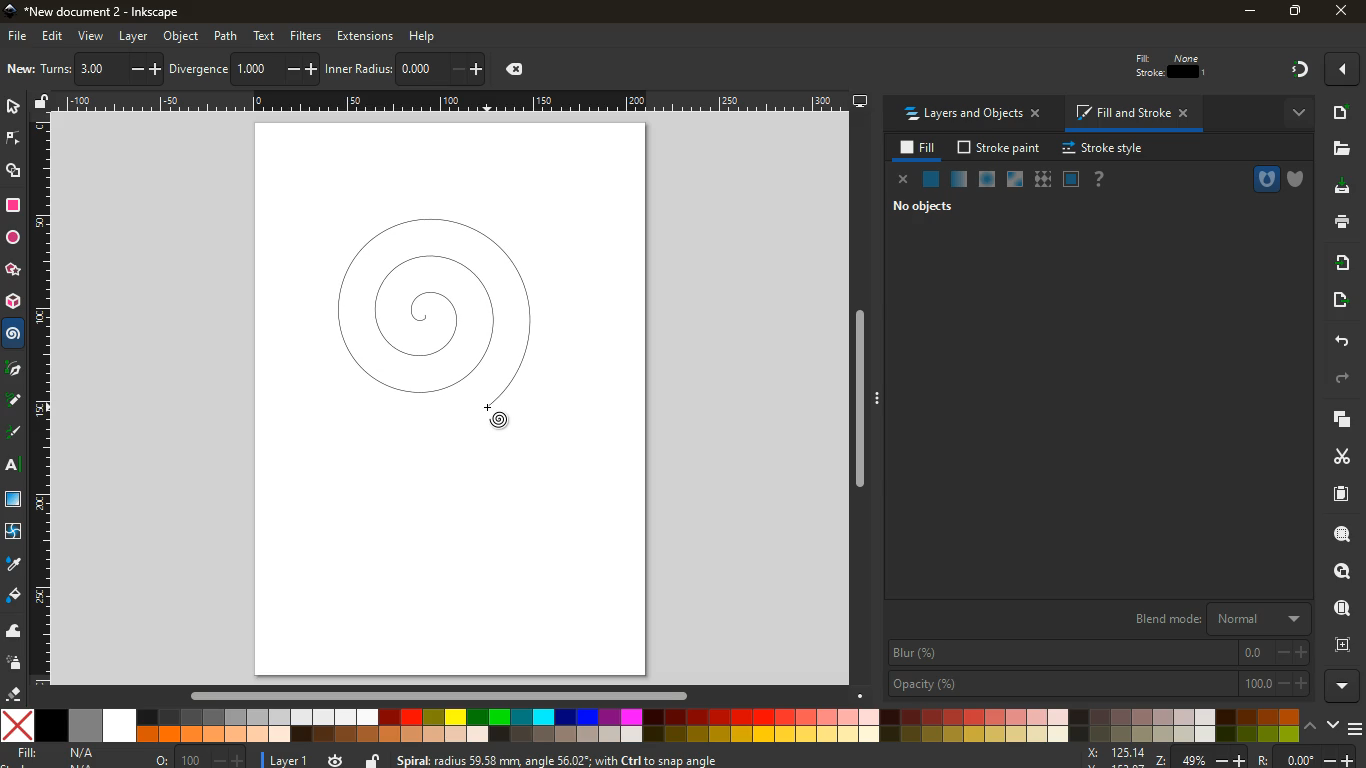 The width and height of the screenshot is (1366, 768). What do you see at coordinates (438, 698) in the screenshot?
I see `` at bounding box center [438, 698].